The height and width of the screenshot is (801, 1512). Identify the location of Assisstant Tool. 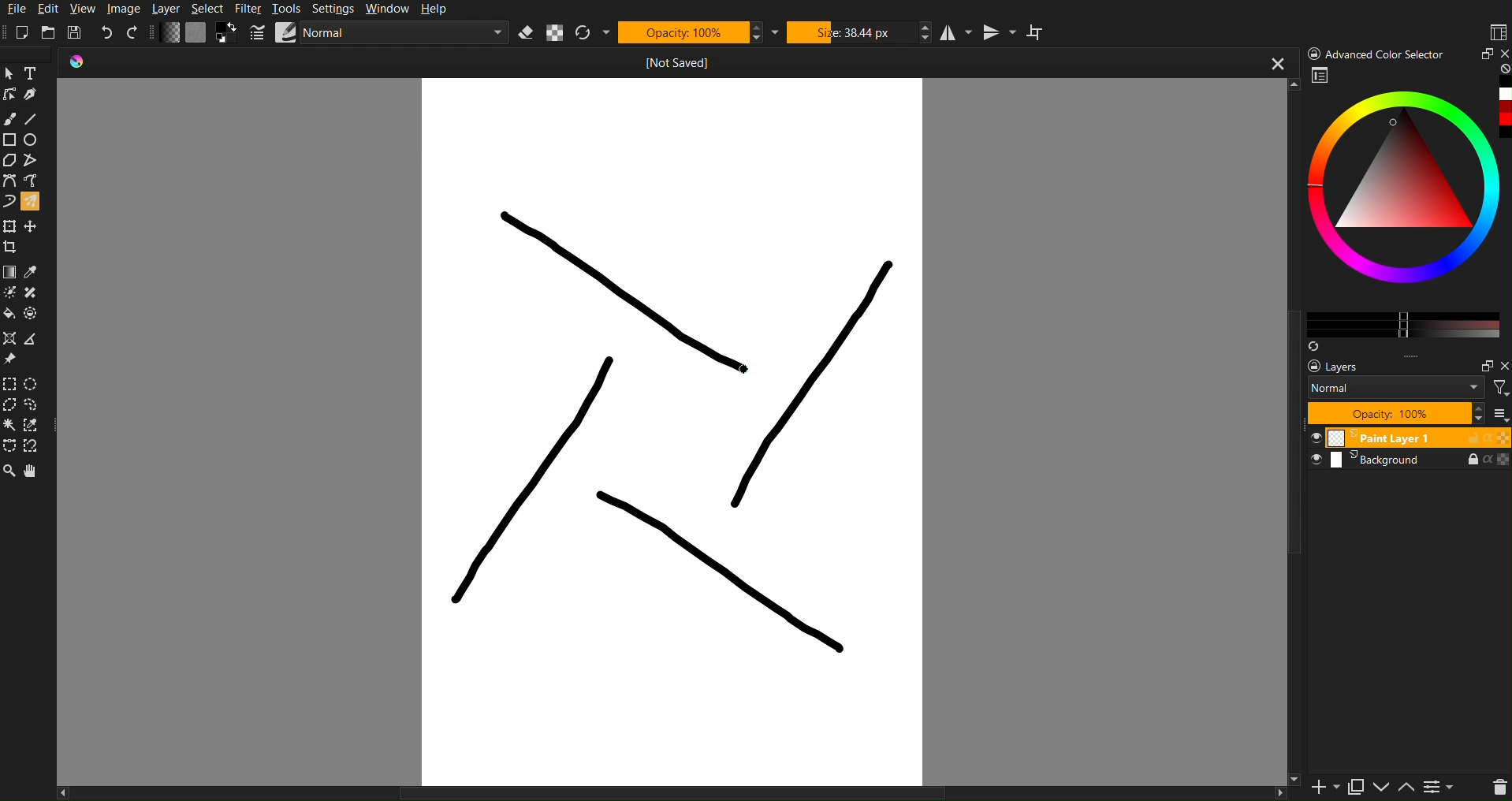
(12, 339).